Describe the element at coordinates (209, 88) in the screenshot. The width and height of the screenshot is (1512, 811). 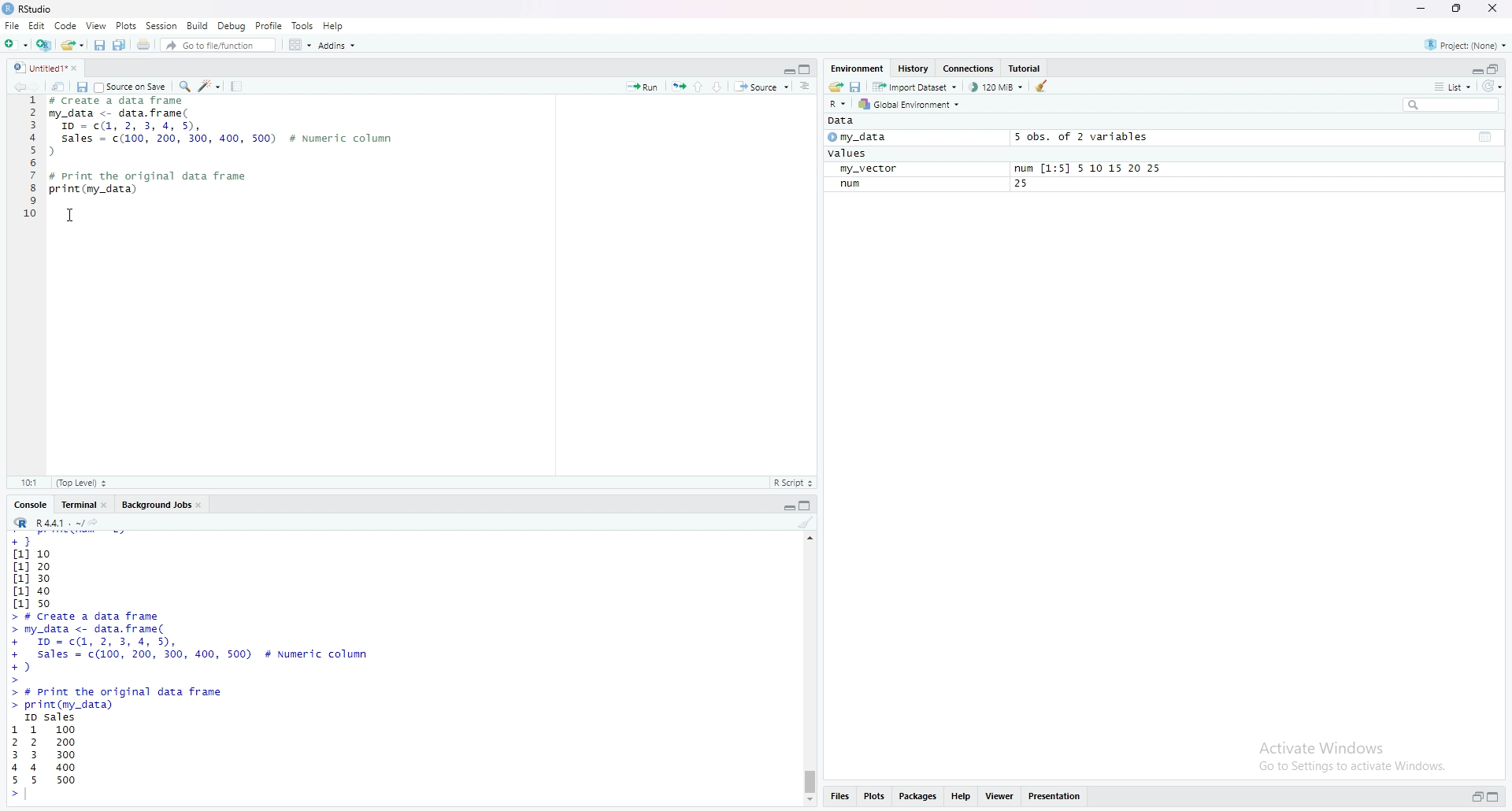
I see `code tools` at that location.